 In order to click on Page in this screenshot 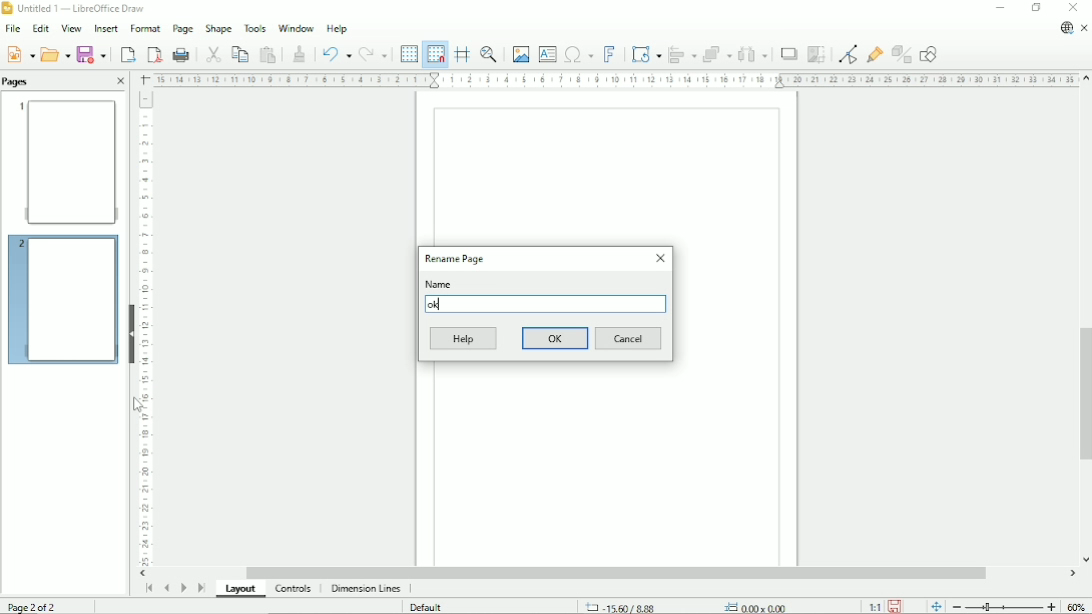, I will do `click(182, 29)`.